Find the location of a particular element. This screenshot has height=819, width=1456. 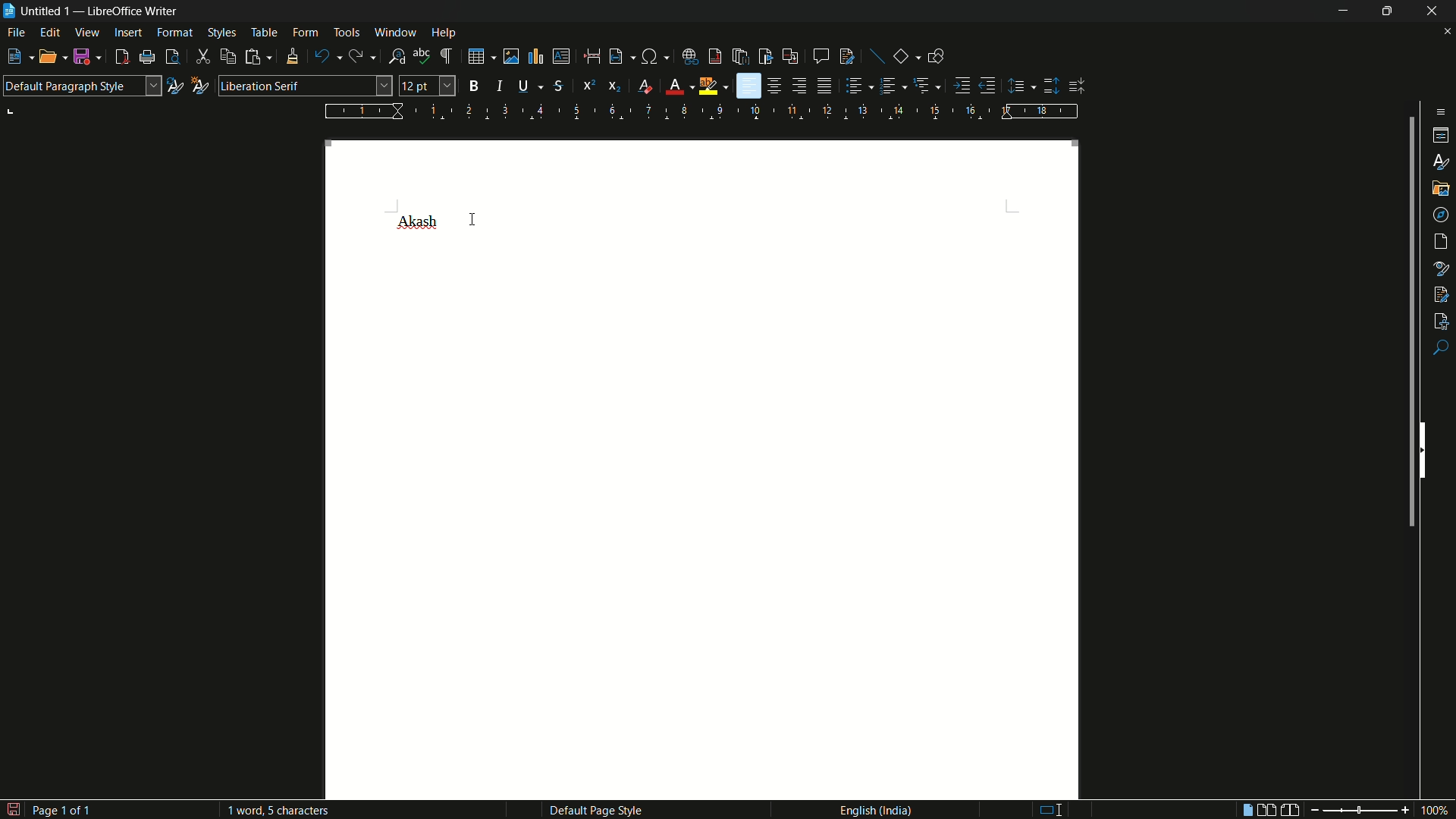

insert end note is located at coordinates (742, 58).